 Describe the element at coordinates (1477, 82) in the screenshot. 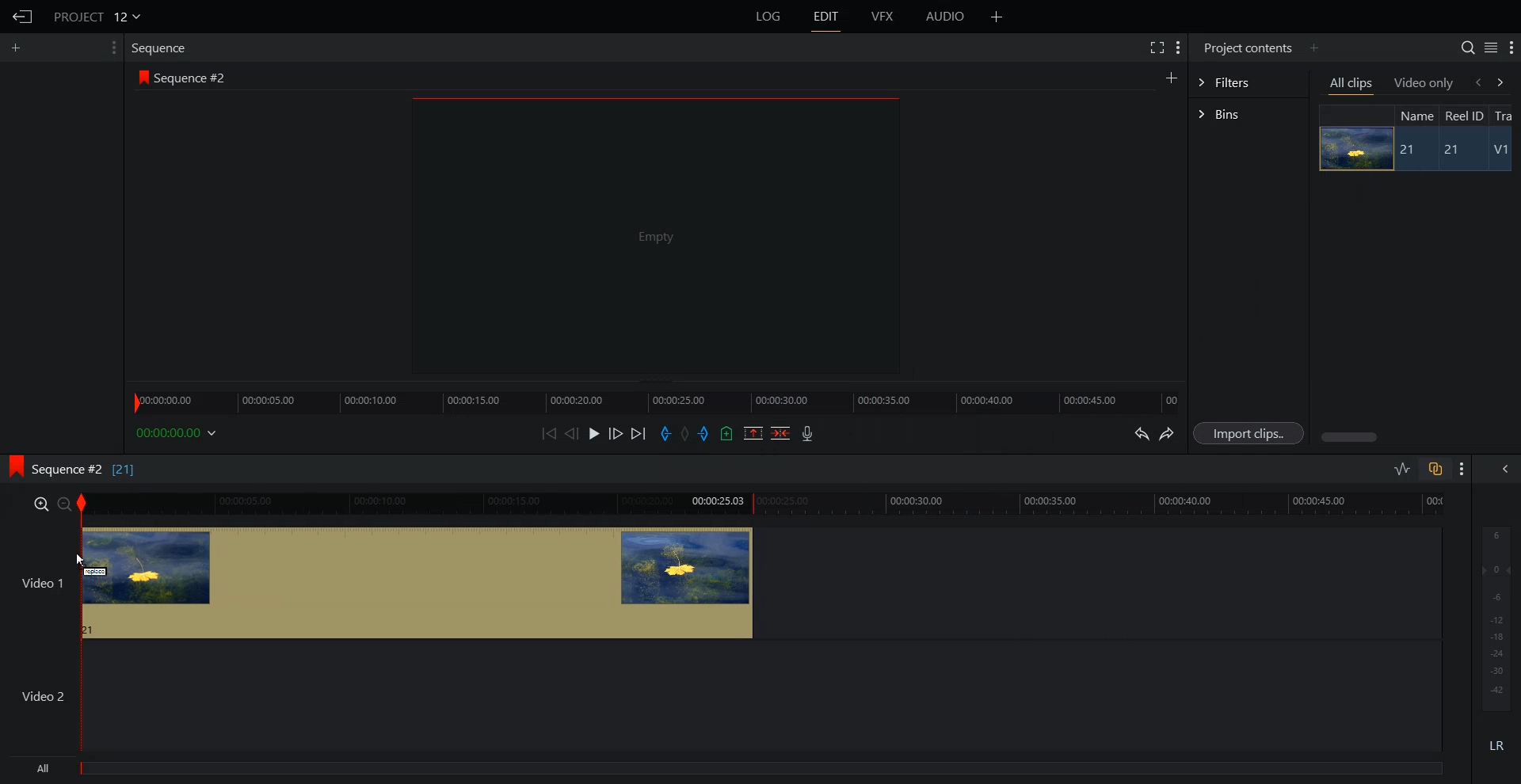

I see `backward` at that location.